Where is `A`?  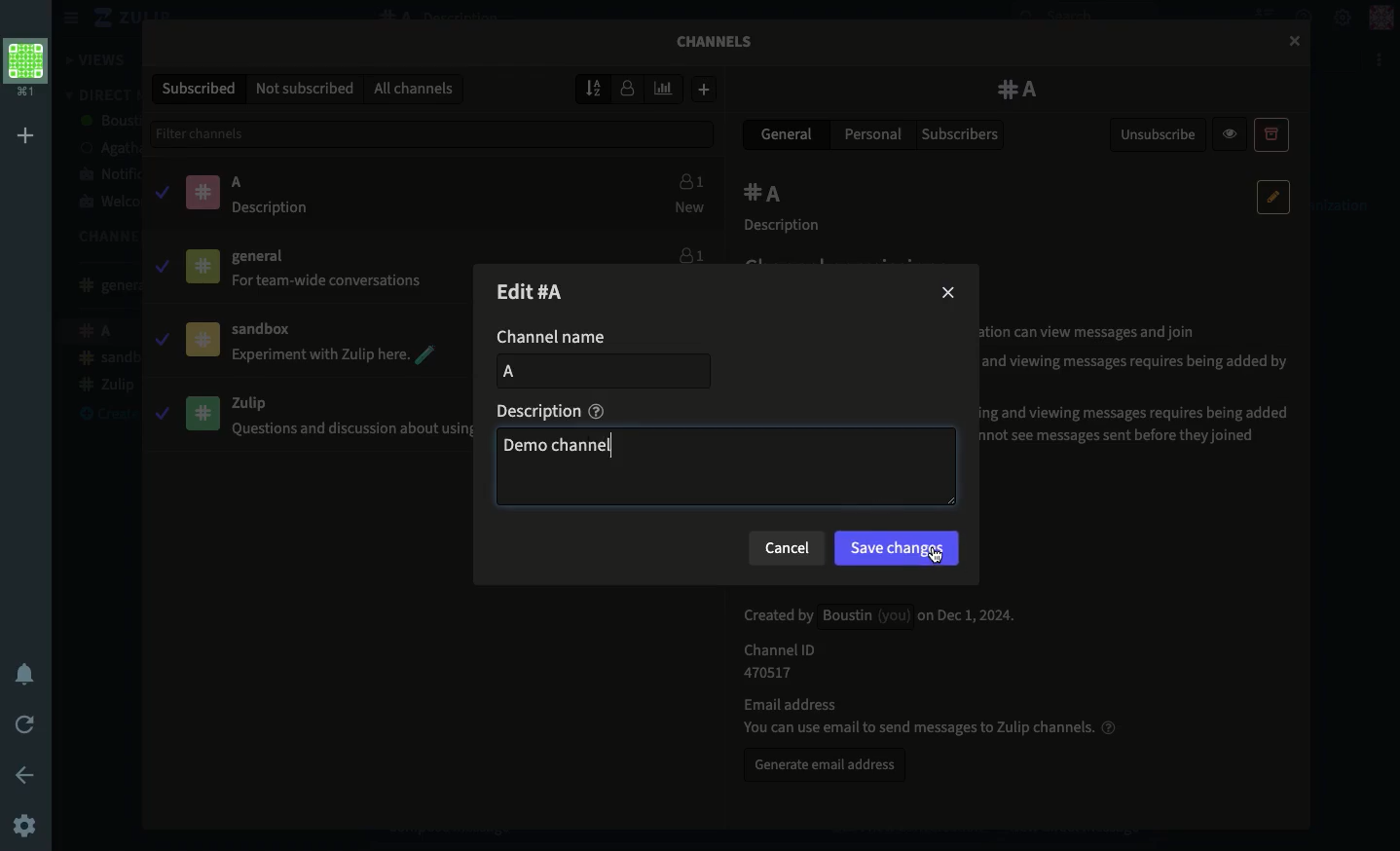
A is located at coordinates (248, 194).